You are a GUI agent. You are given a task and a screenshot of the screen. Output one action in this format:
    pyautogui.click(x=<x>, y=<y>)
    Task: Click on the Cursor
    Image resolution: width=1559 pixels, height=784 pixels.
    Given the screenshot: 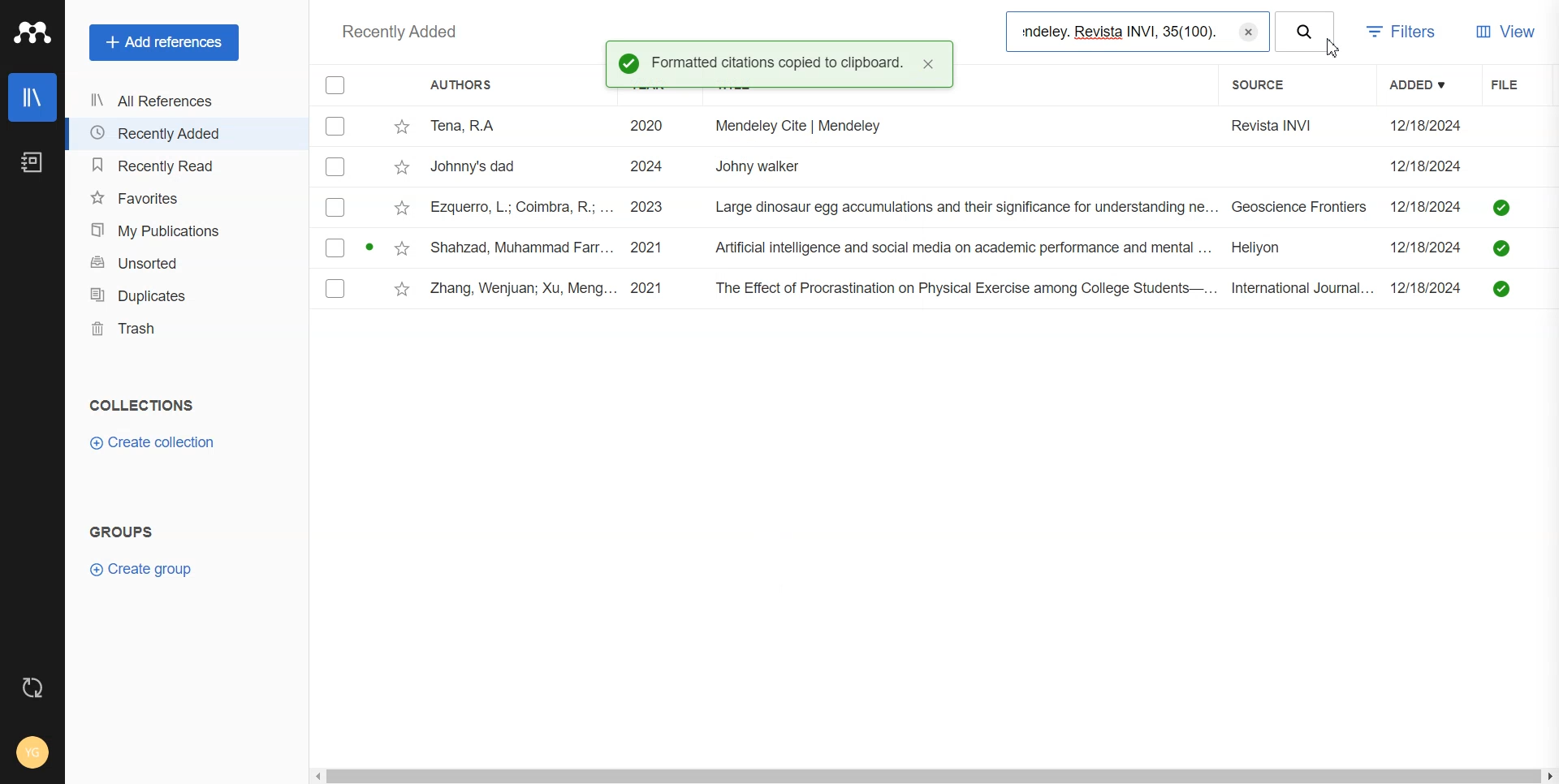 What is the action you would take?
    pyautogui.click(x=1335, y=49)
    